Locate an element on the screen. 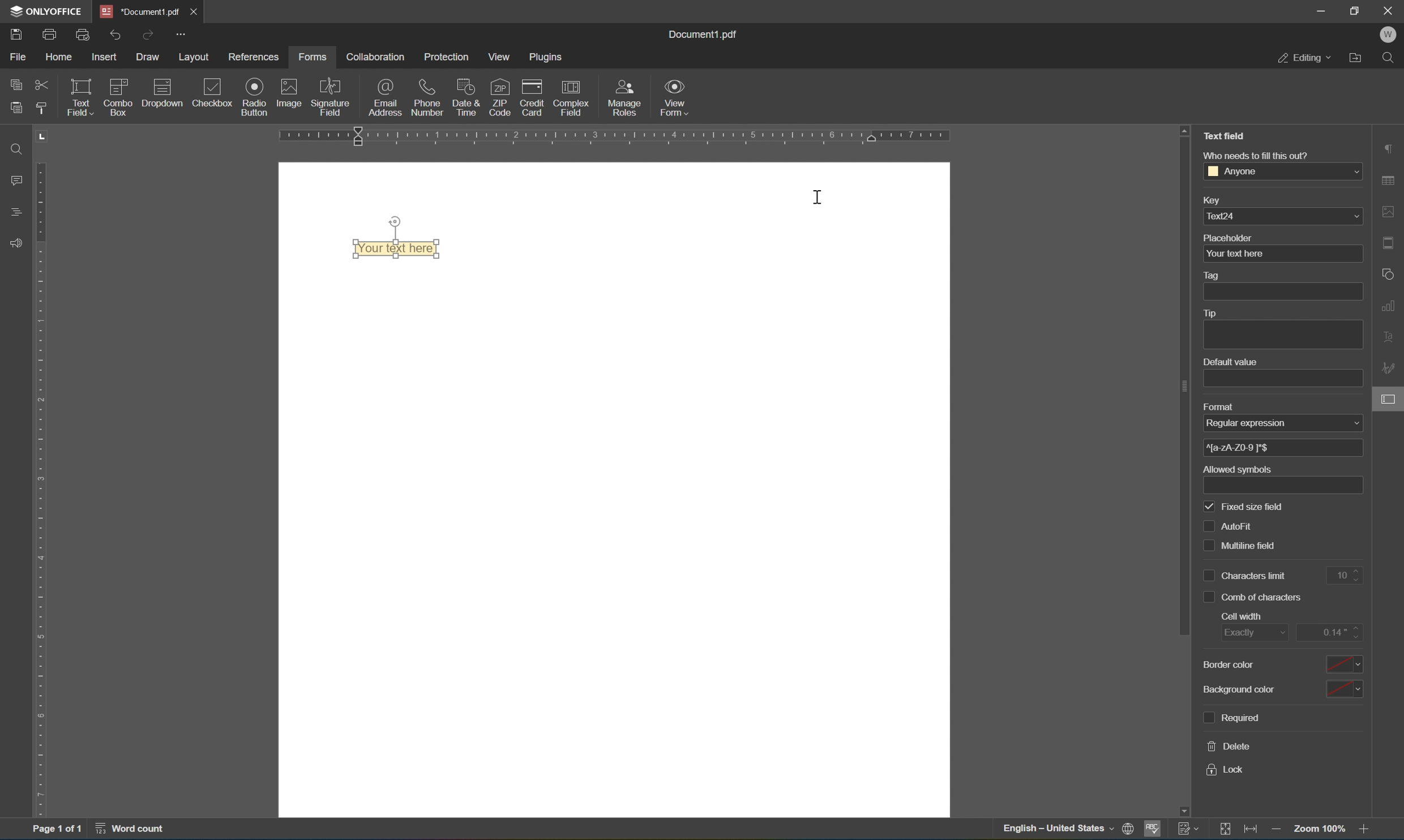 Image resolution: width=1404 pixels, height=840 pixels. track changes is located at coordinates (1189, 828).